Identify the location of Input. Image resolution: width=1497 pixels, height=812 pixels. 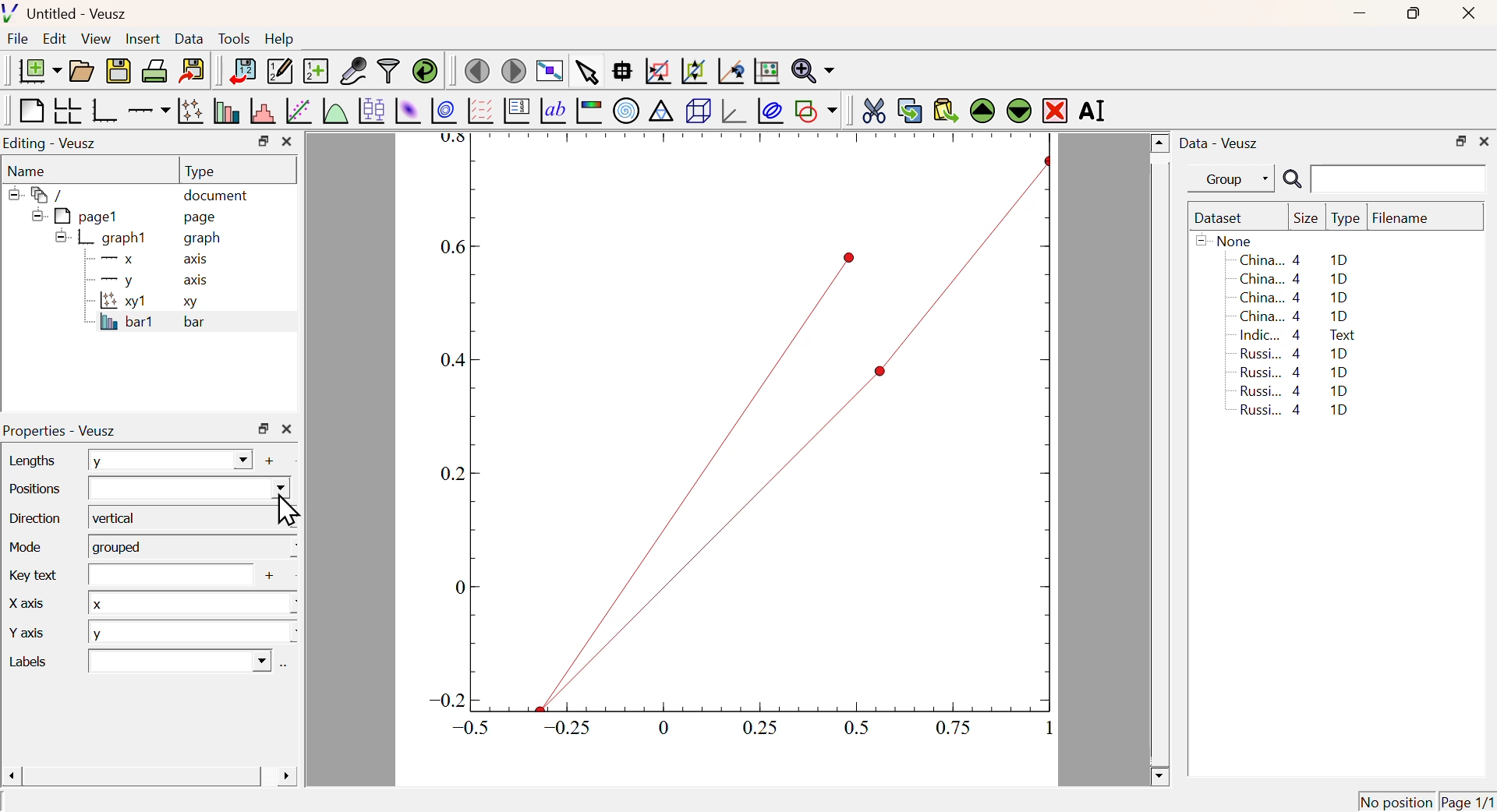
(168, 574).